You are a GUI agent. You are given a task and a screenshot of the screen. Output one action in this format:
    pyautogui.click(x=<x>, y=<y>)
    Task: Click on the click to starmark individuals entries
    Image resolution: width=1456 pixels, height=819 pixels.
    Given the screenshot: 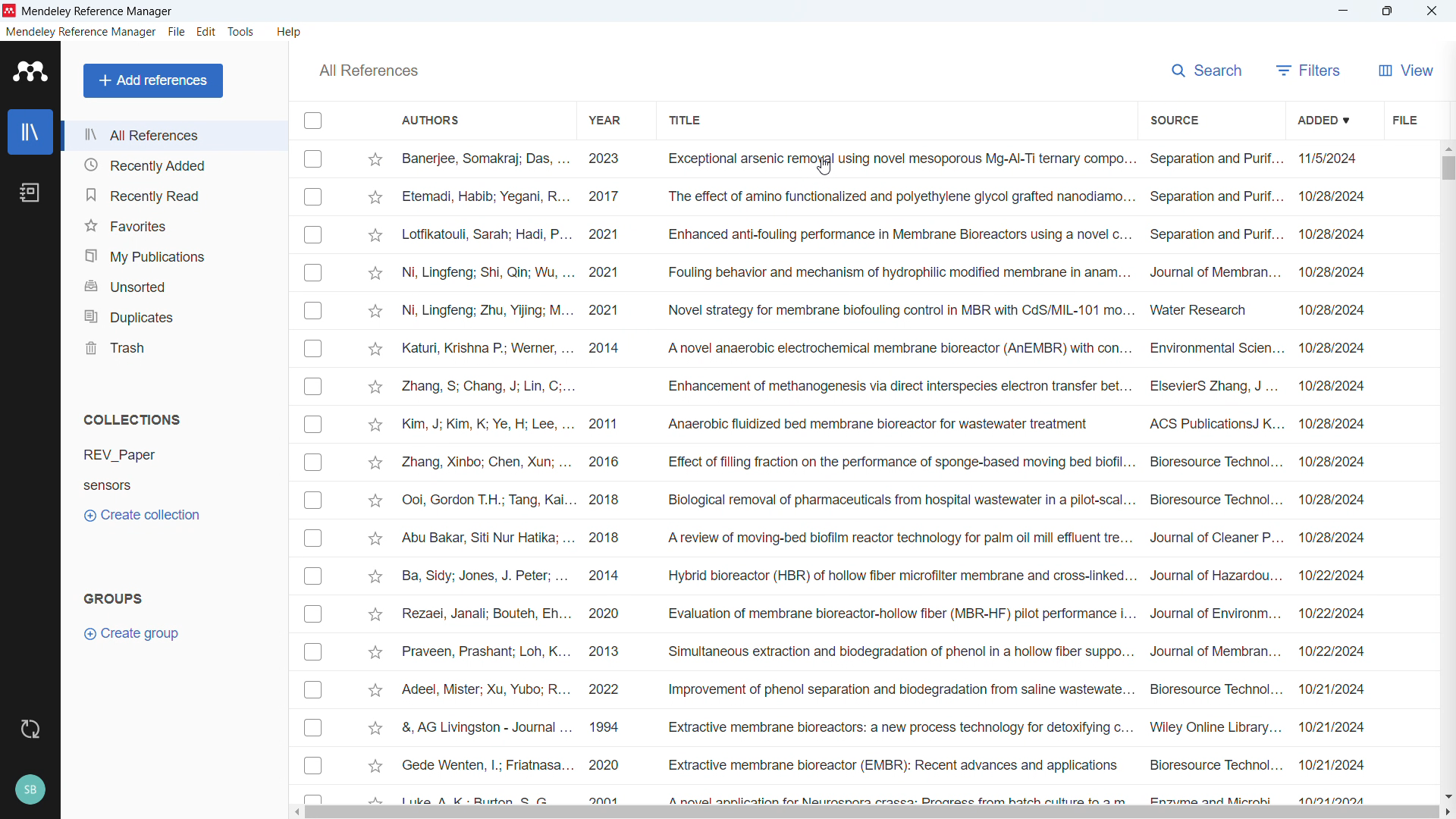 What is the action you would take?
    pyautogui.click(x=375, y=693)
    